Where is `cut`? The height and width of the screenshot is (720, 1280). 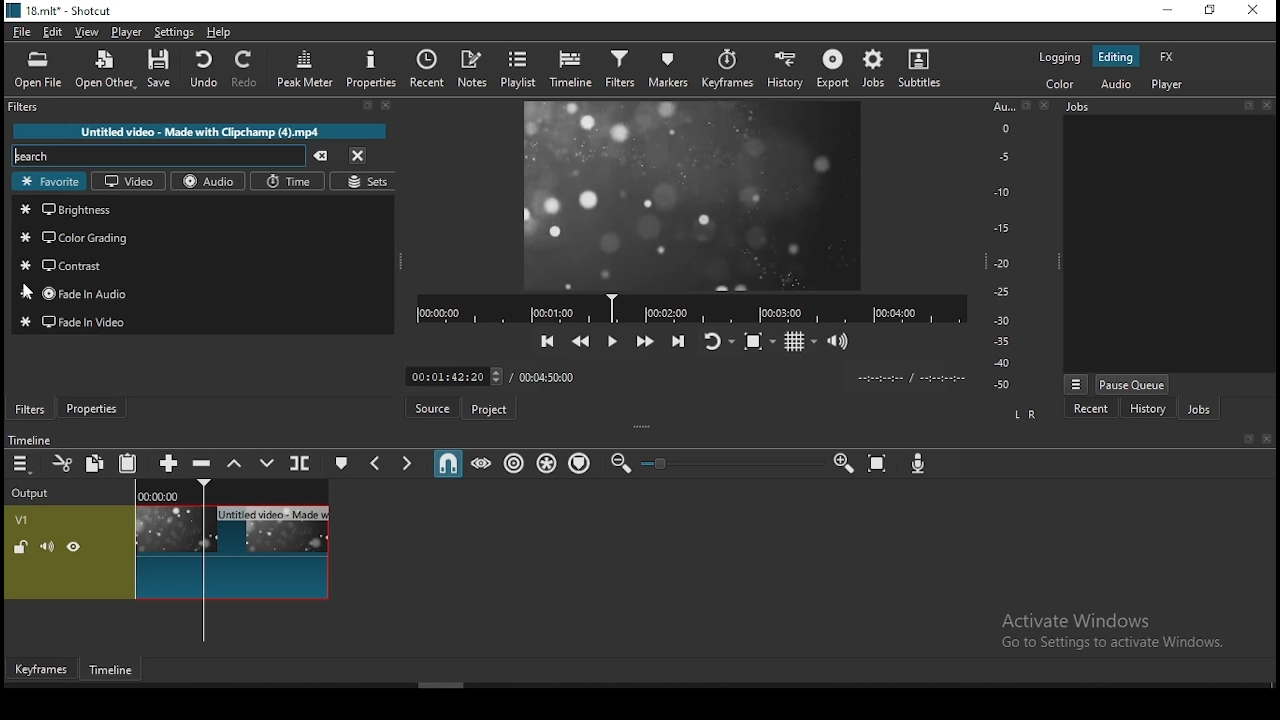 cut is located at coordinates (62, 463).